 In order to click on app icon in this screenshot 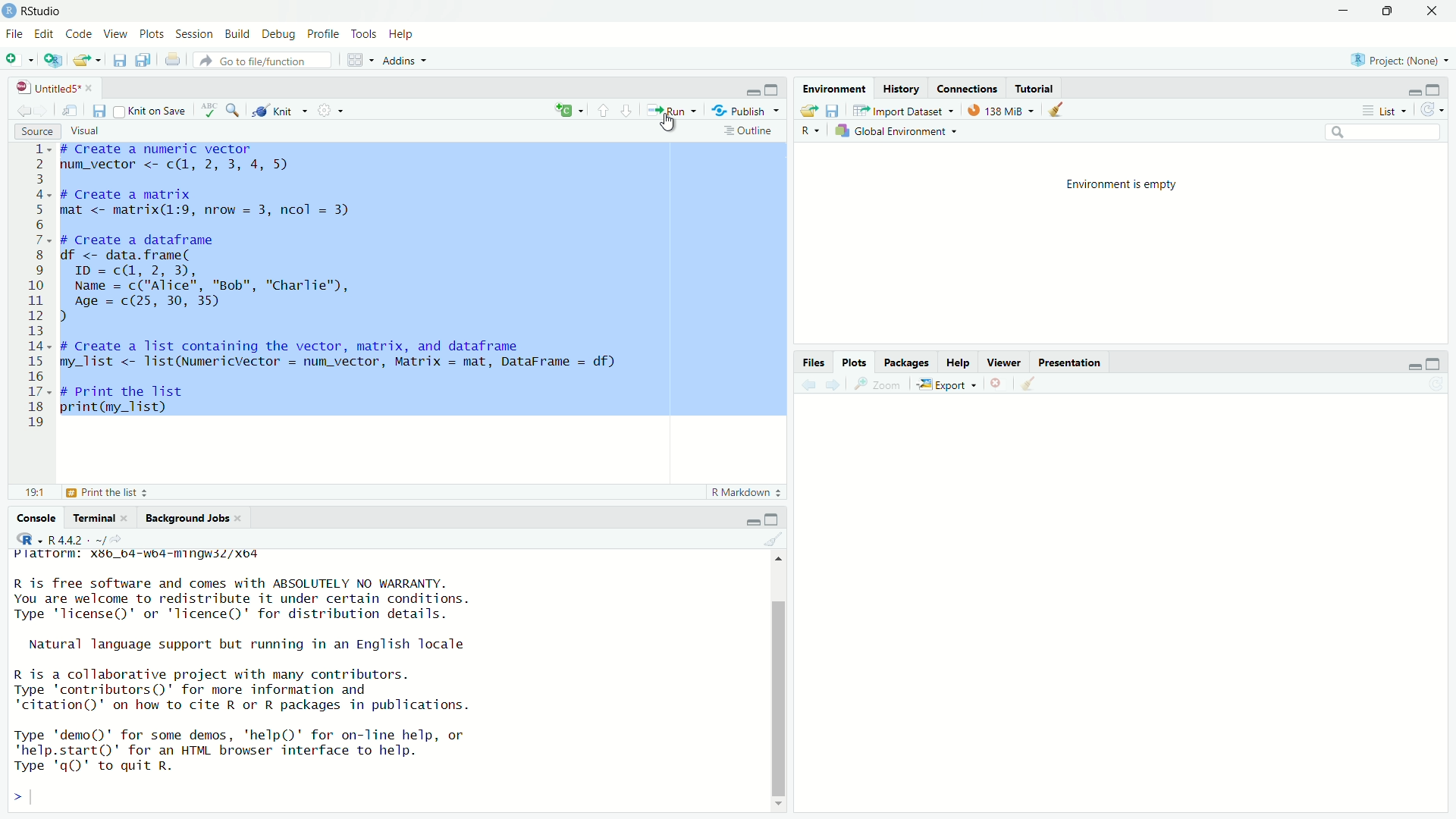, I will do `click(10, 10)`.